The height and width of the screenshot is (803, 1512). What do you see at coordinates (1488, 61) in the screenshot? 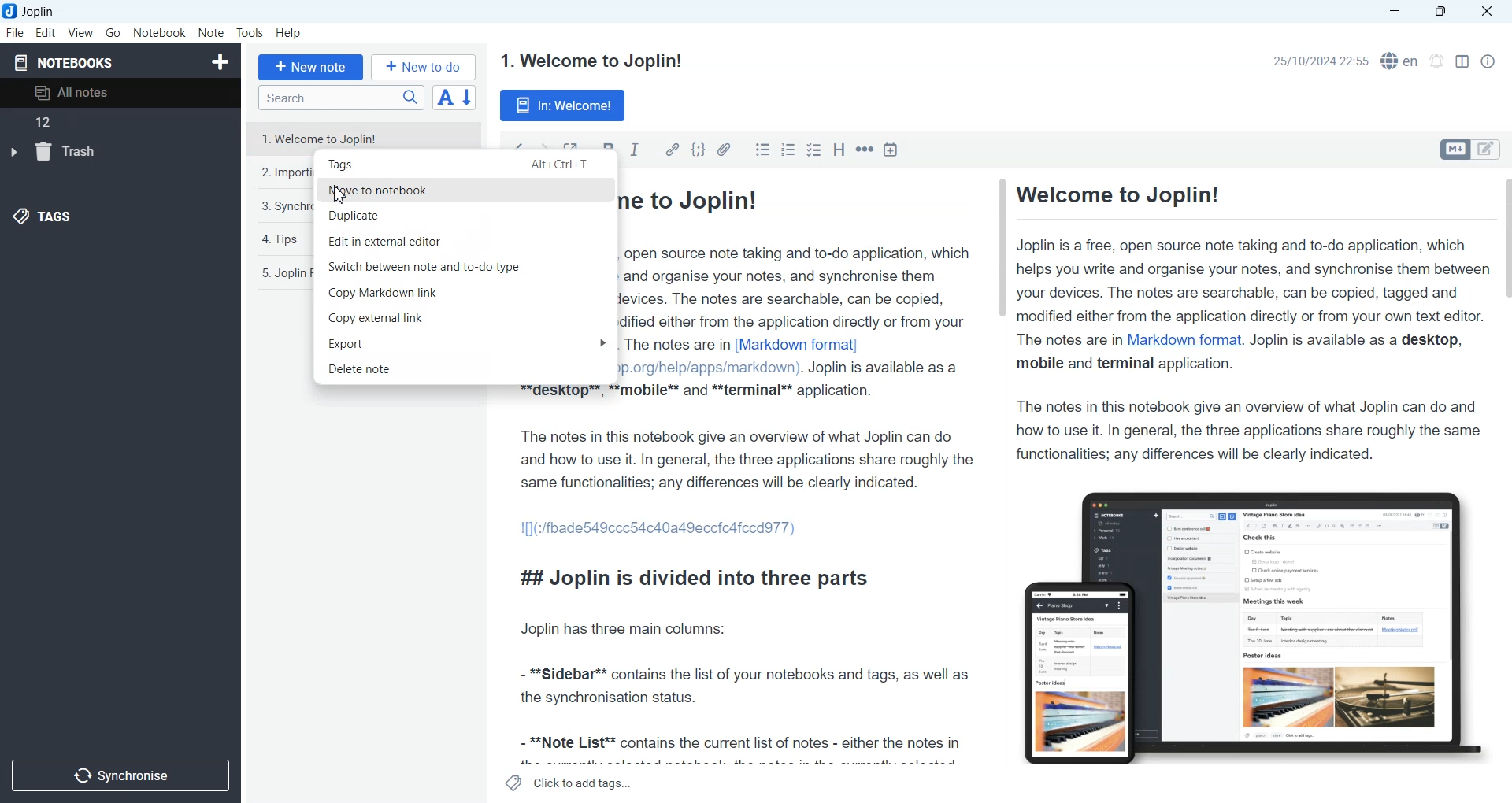
I see `Note Properties` at bounding box center [1488, 61].